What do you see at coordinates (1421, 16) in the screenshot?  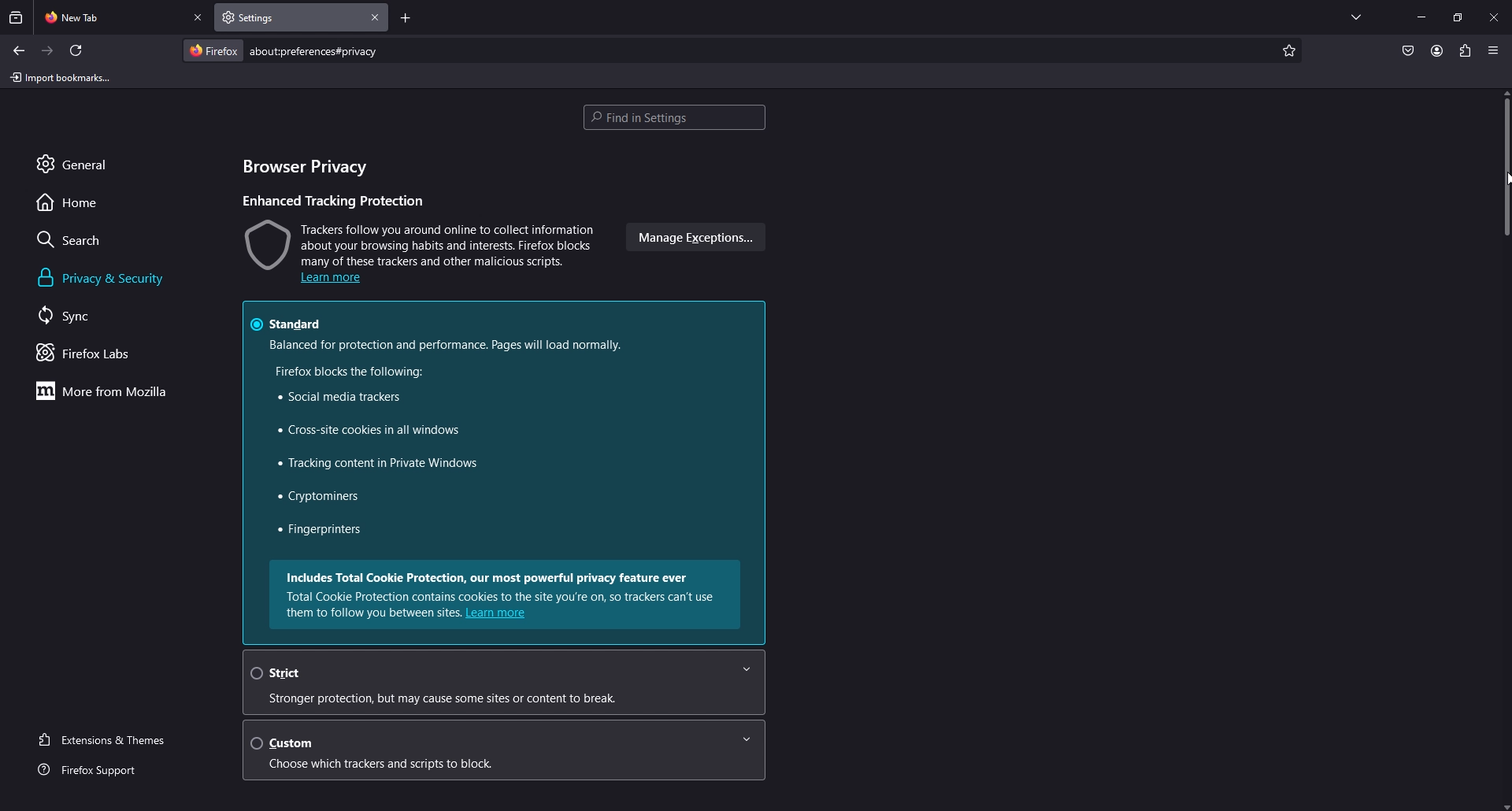 I see `minimize` at bounding box center [1421, 16].